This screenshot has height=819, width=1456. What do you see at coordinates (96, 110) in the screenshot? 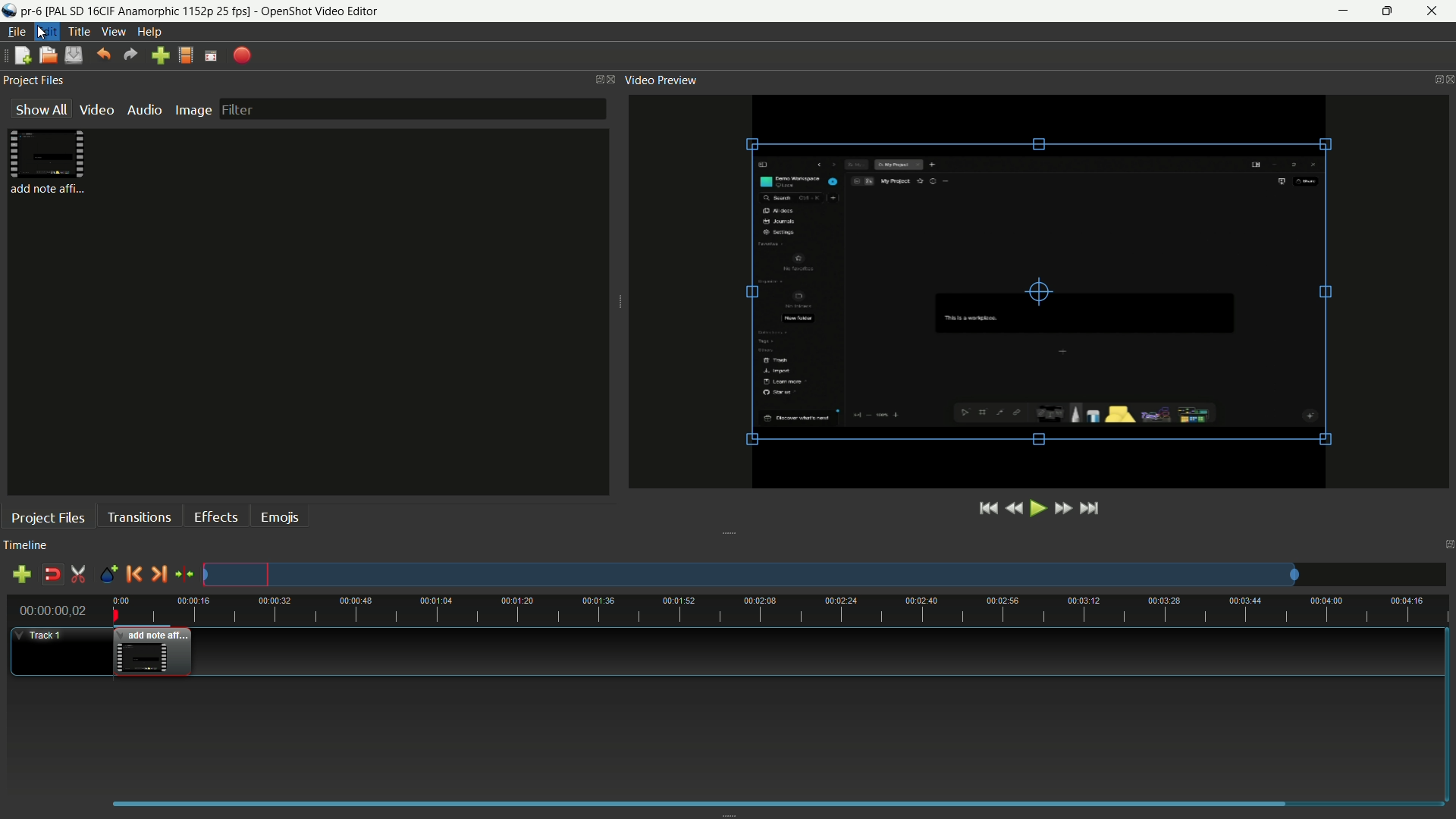
I see `video` at bounding box center [96, 110].